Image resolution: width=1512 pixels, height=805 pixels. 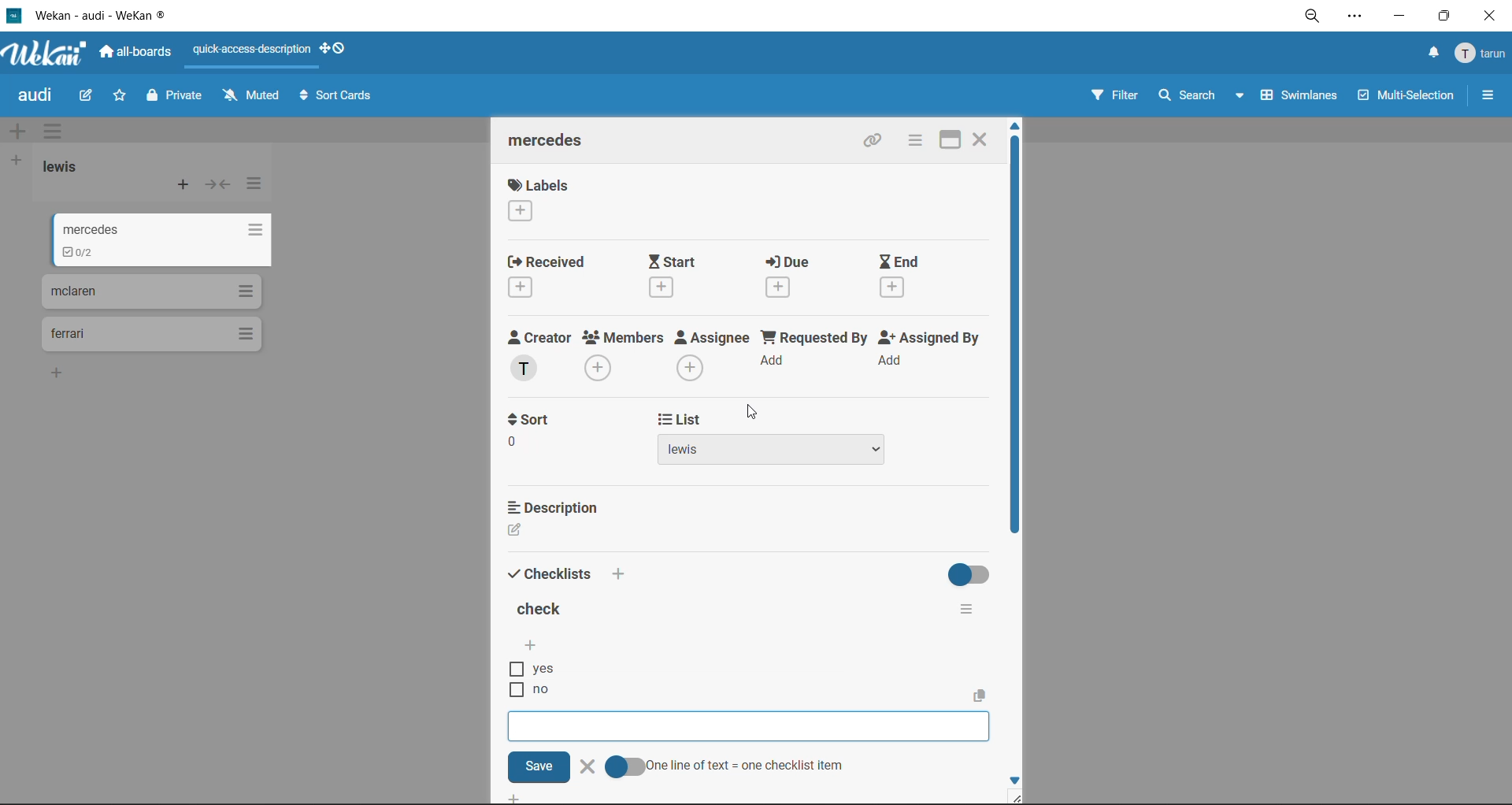 What do you see at coordinates (933, 354) in the screenshot?
I see `assigned by` at bounding box center [933, 354].